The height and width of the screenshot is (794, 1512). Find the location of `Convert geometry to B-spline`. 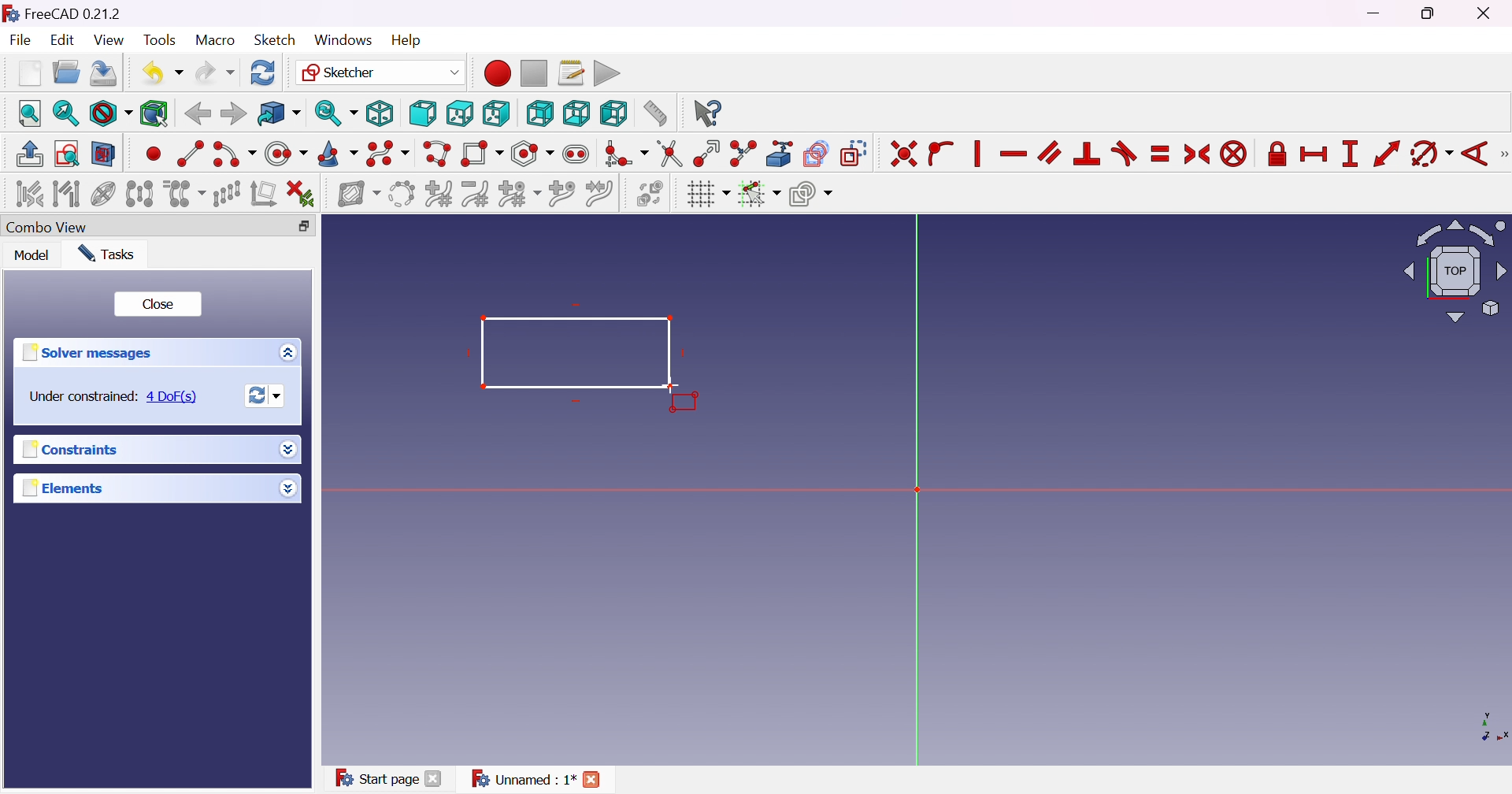

Convert geometry to B-spline is located at coordinates (400, 195).